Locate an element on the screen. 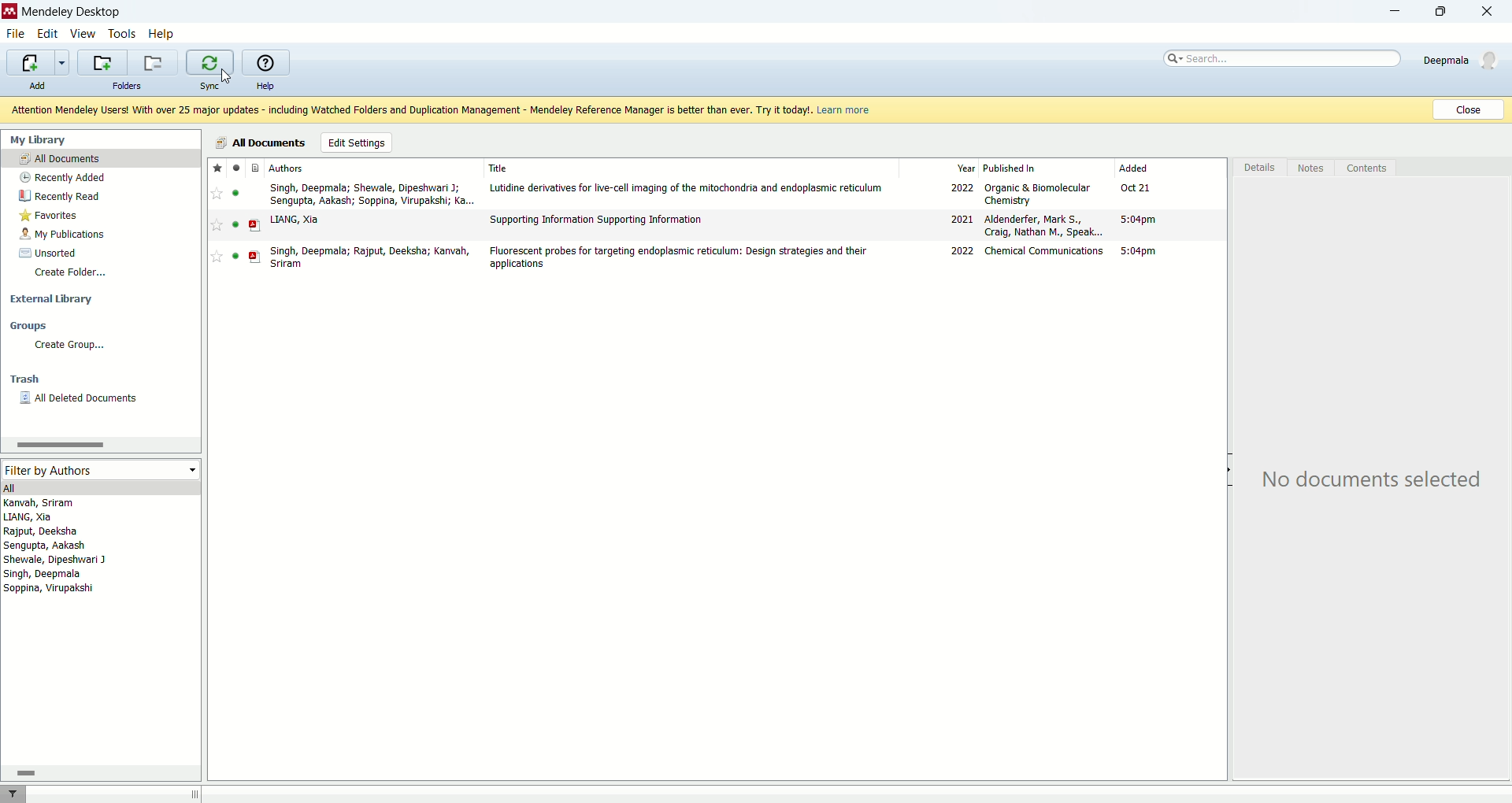 Image resolution: width=1512 pixels, height=803 pixels. filter is located at coordinates (13, 794).